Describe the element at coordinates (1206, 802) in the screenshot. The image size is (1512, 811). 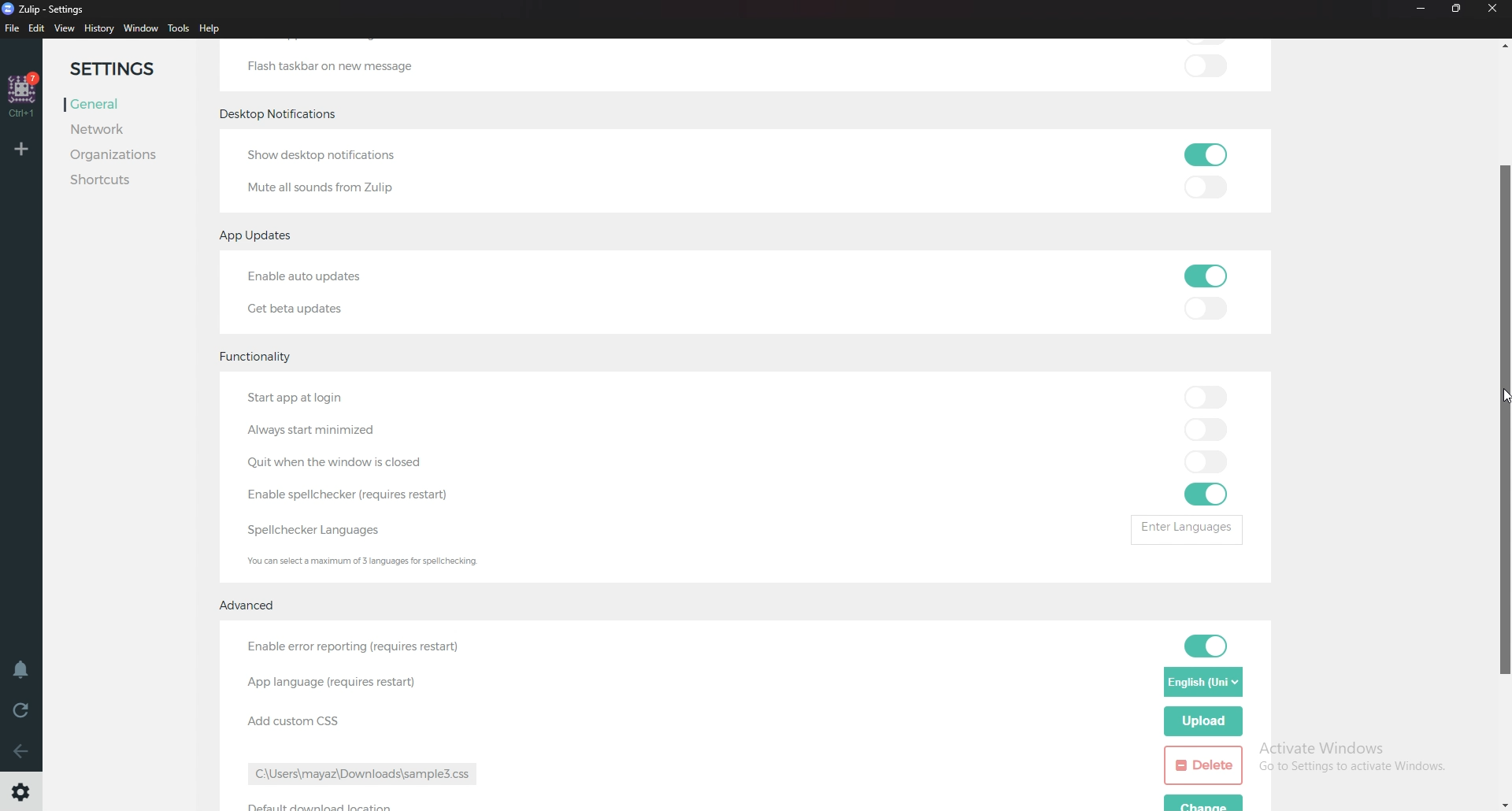
I see `change` at that location.